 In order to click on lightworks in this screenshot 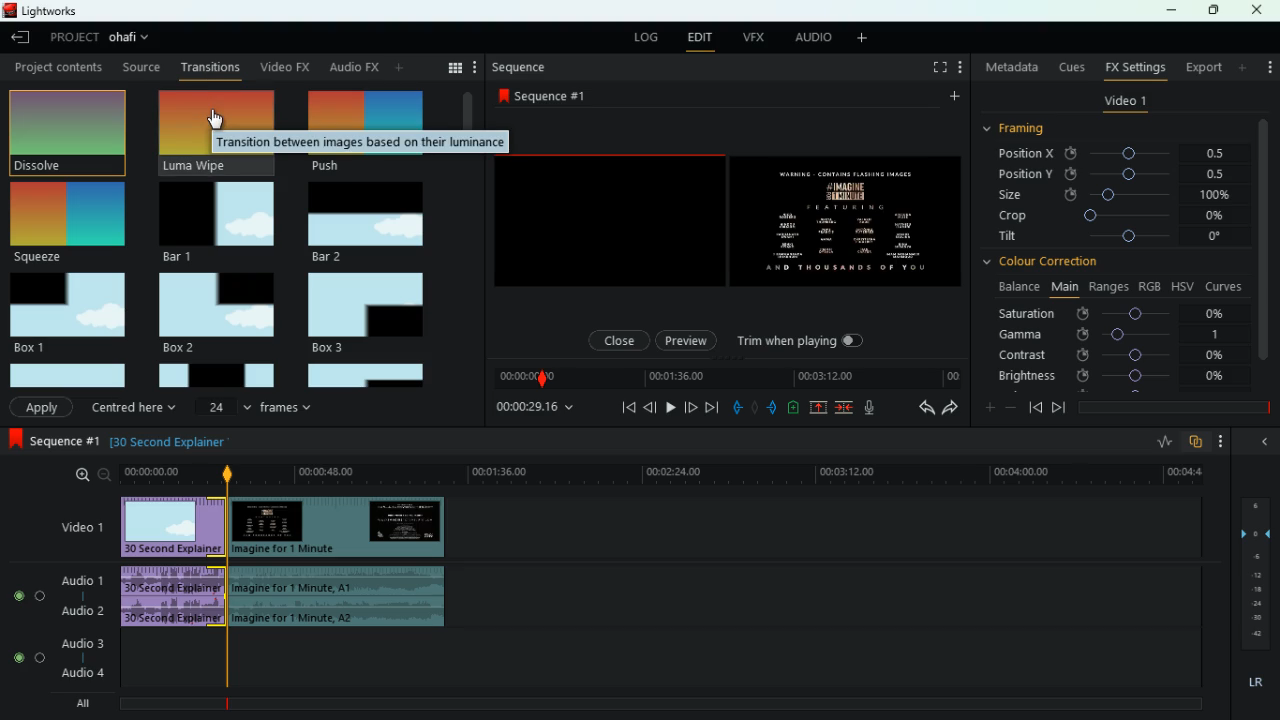, I will do `click(42, 10)`.